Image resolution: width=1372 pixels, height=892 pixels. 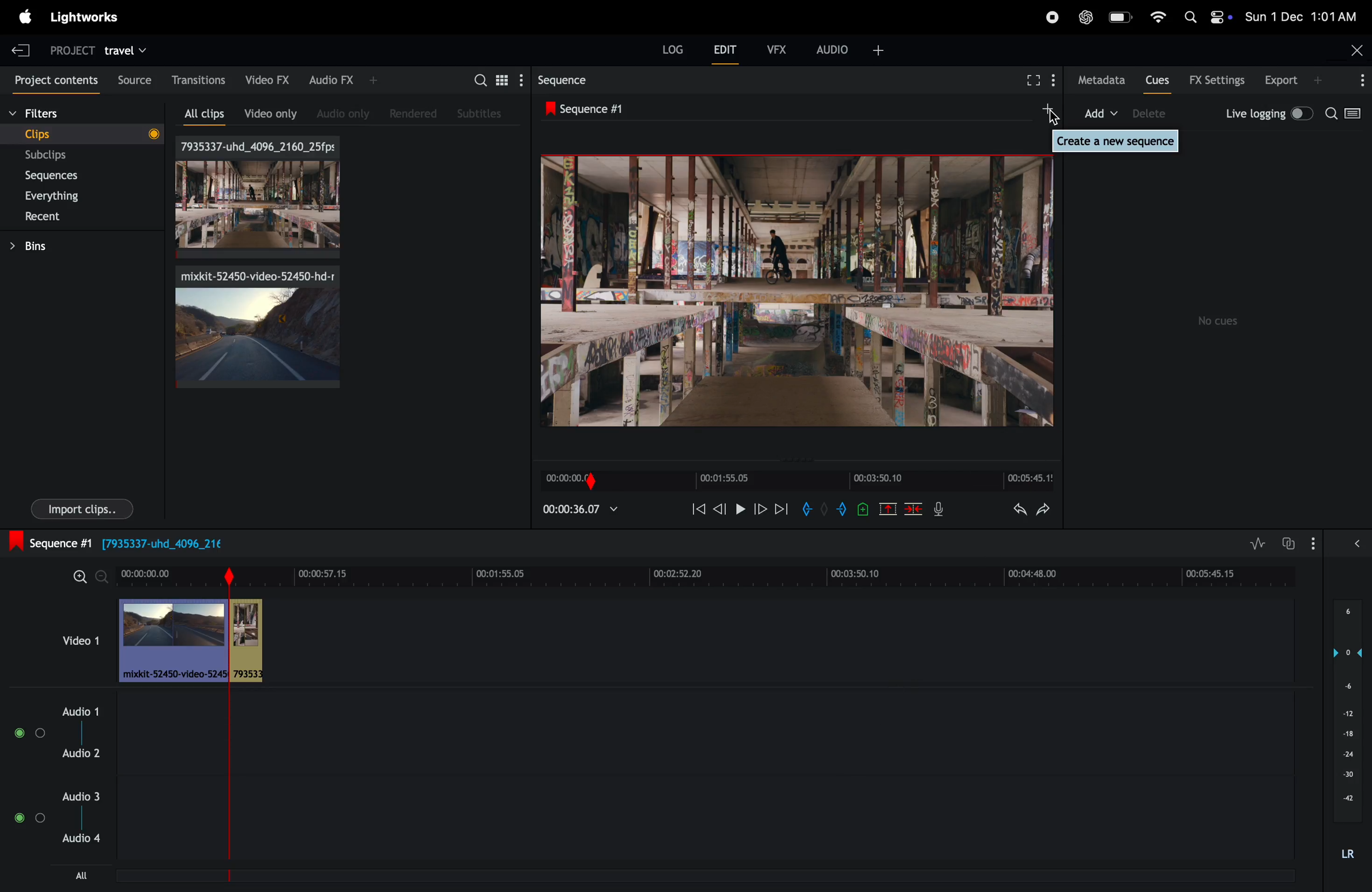 What do you see at coordinates (79, 176) in the screenshot?
I see `sequences` at bounding box center [79, 176].